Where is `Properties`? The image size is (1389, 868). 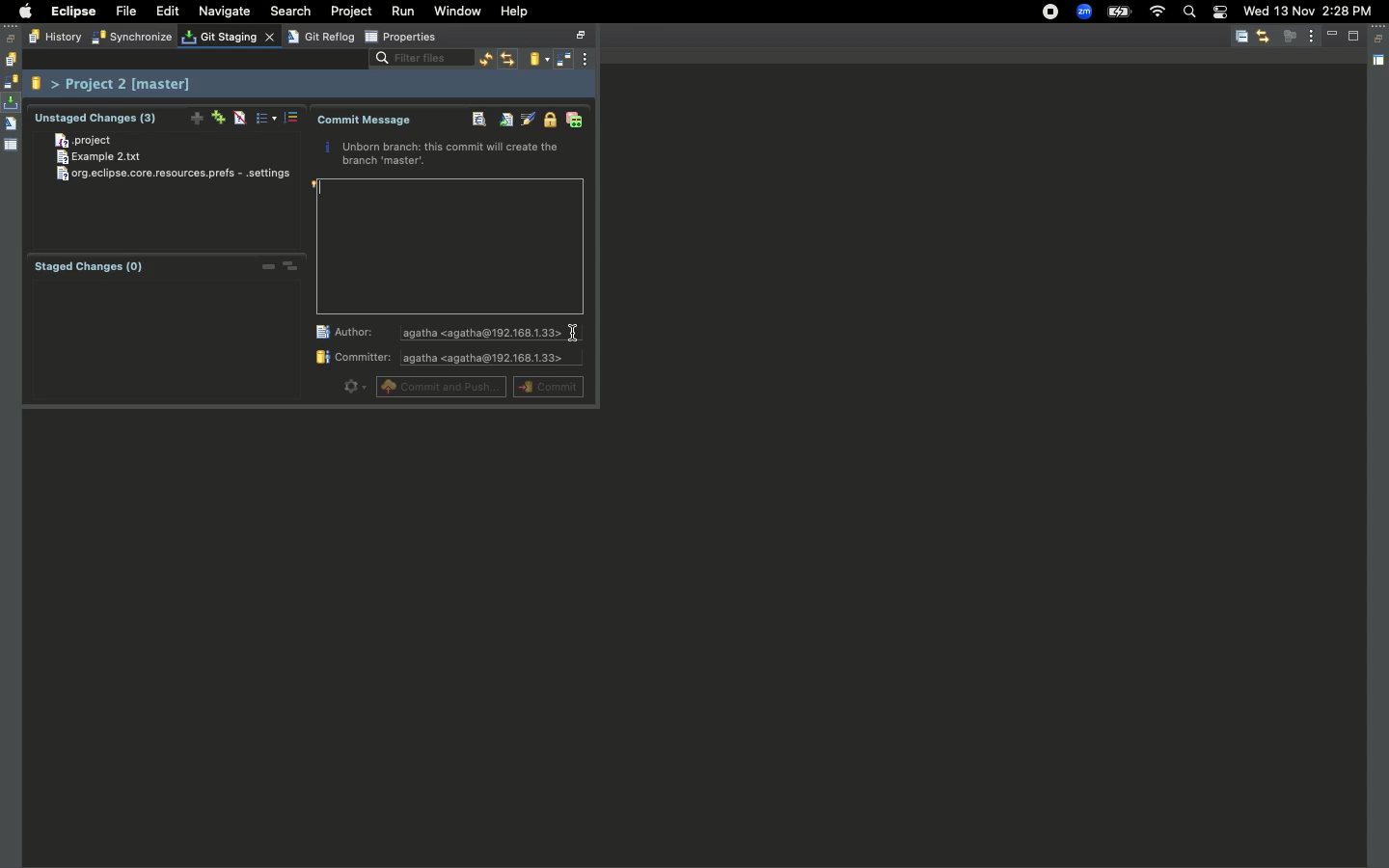
Properties is located at coordinates (12, 144).